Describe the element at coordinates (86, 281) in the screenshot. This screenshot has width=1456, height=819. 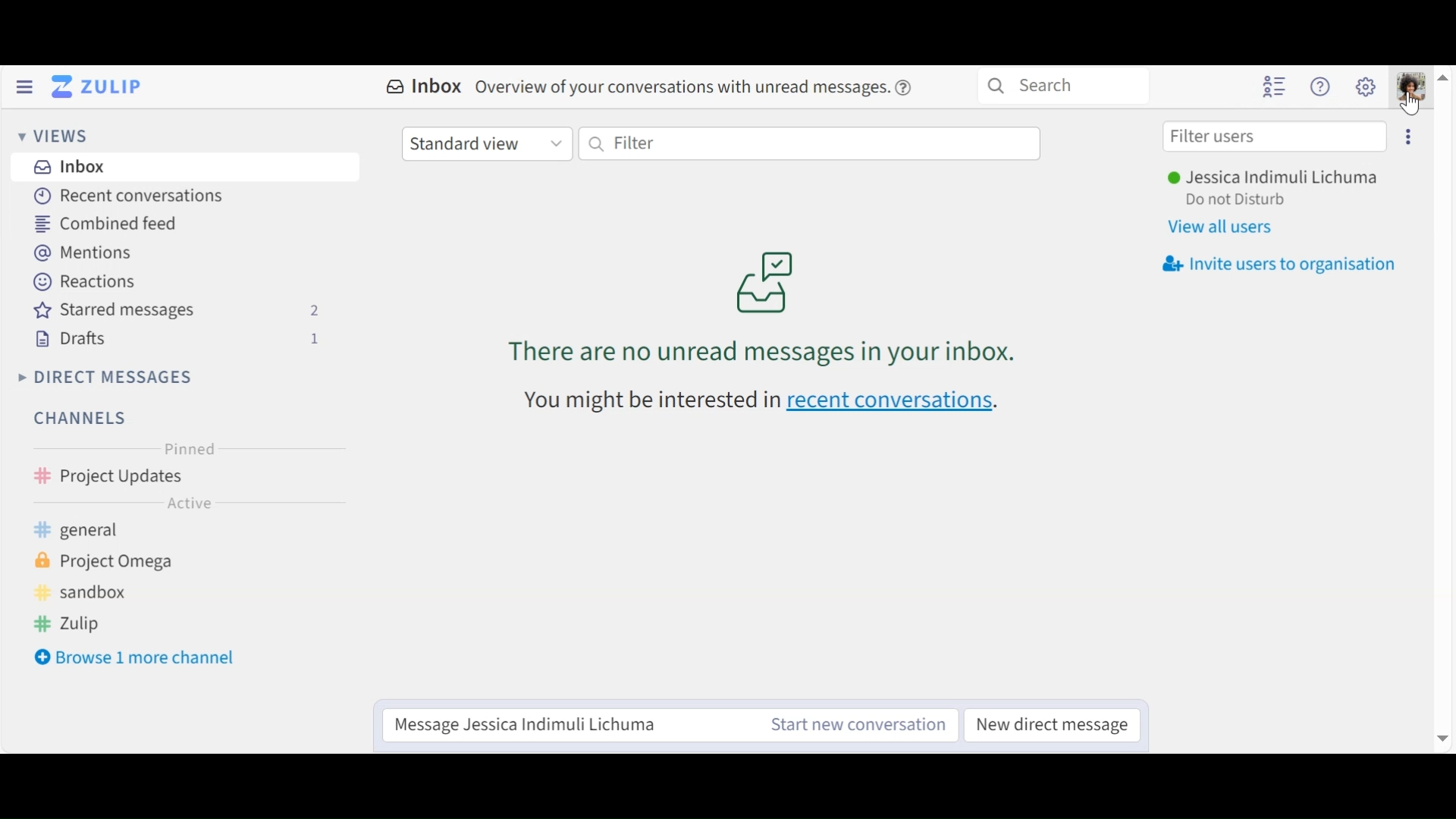
I see `Reactions` at that location.